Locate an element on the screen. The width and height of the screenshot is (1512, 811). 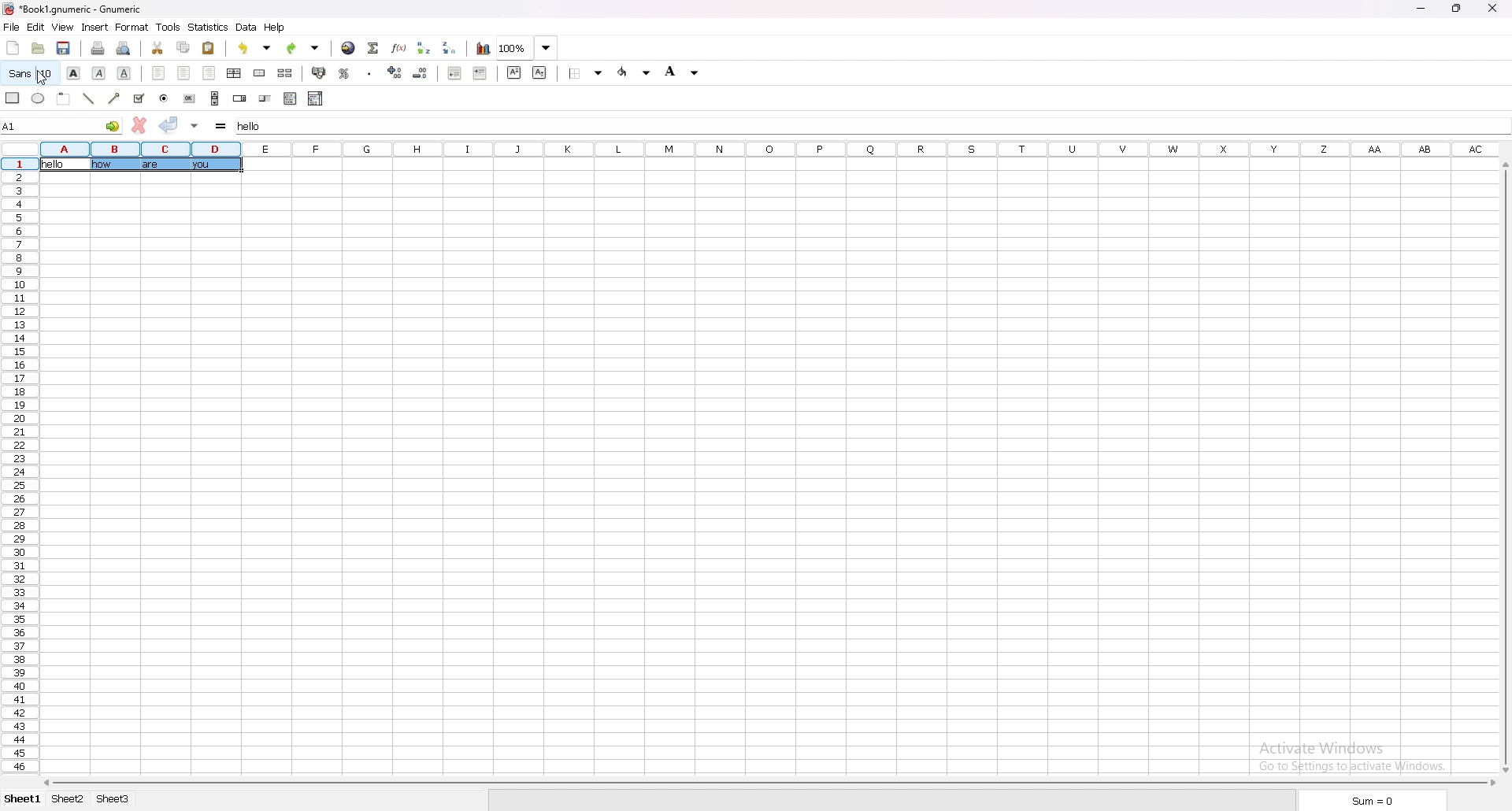
file is located at coordinates (12, 27).